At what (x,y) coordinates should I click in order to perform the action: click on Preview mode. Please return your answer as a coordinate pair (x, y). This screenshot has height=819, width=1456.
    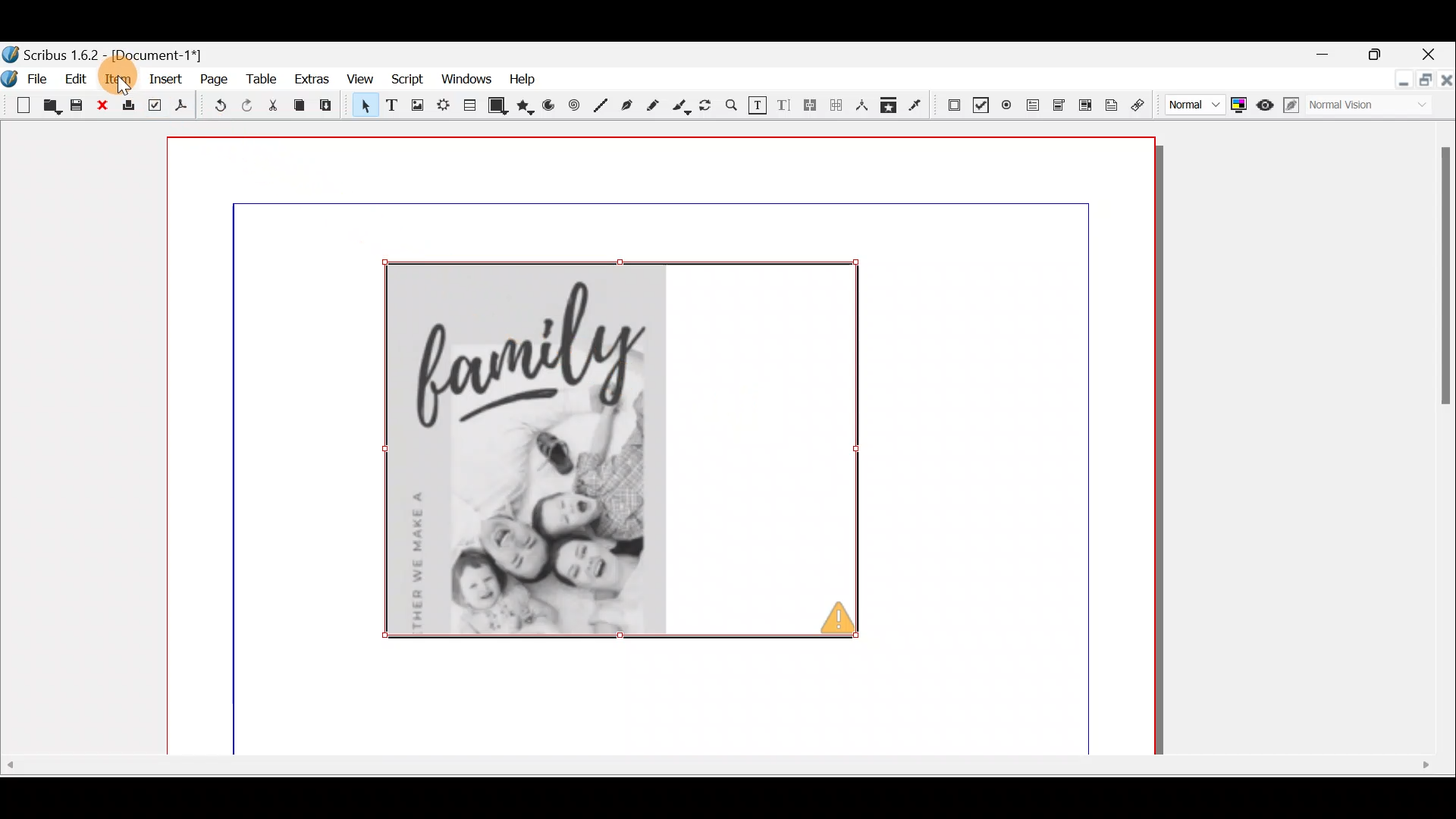
    Looking at the image, I should click on (1267, 104).